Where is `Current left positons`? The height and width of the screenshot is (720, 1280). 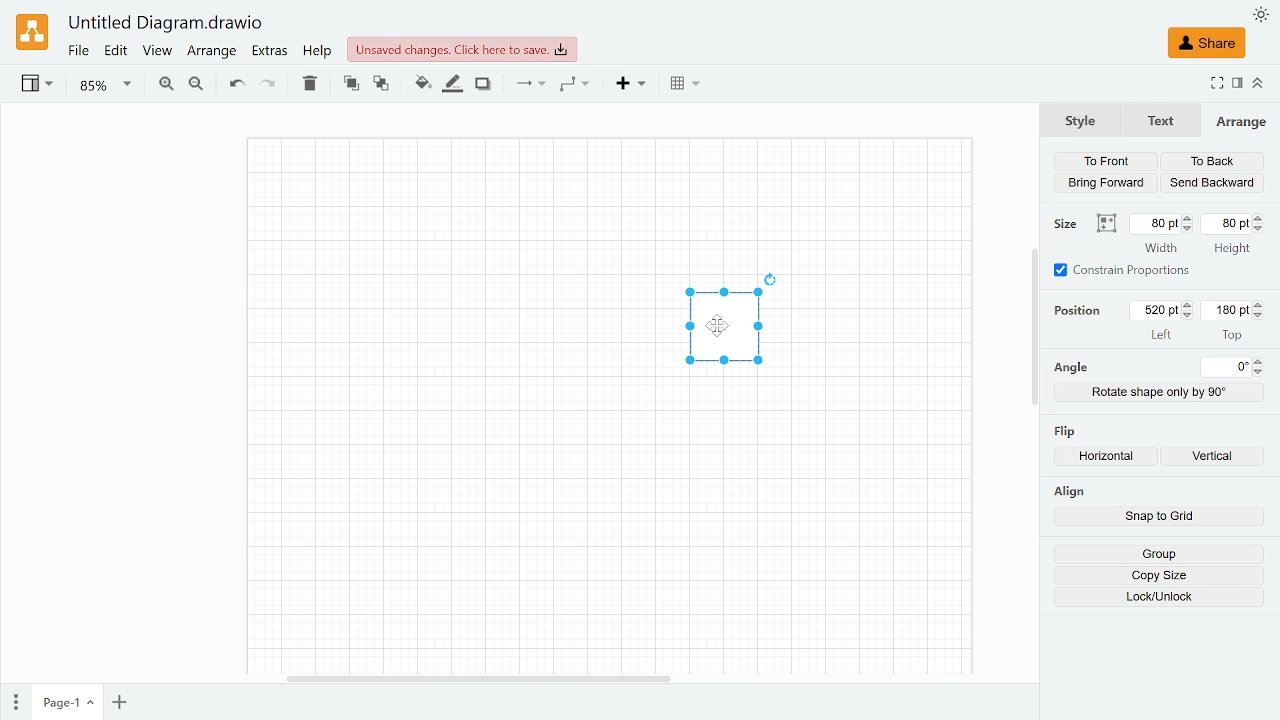
Current left positons is located at coordinates (1156, 311).